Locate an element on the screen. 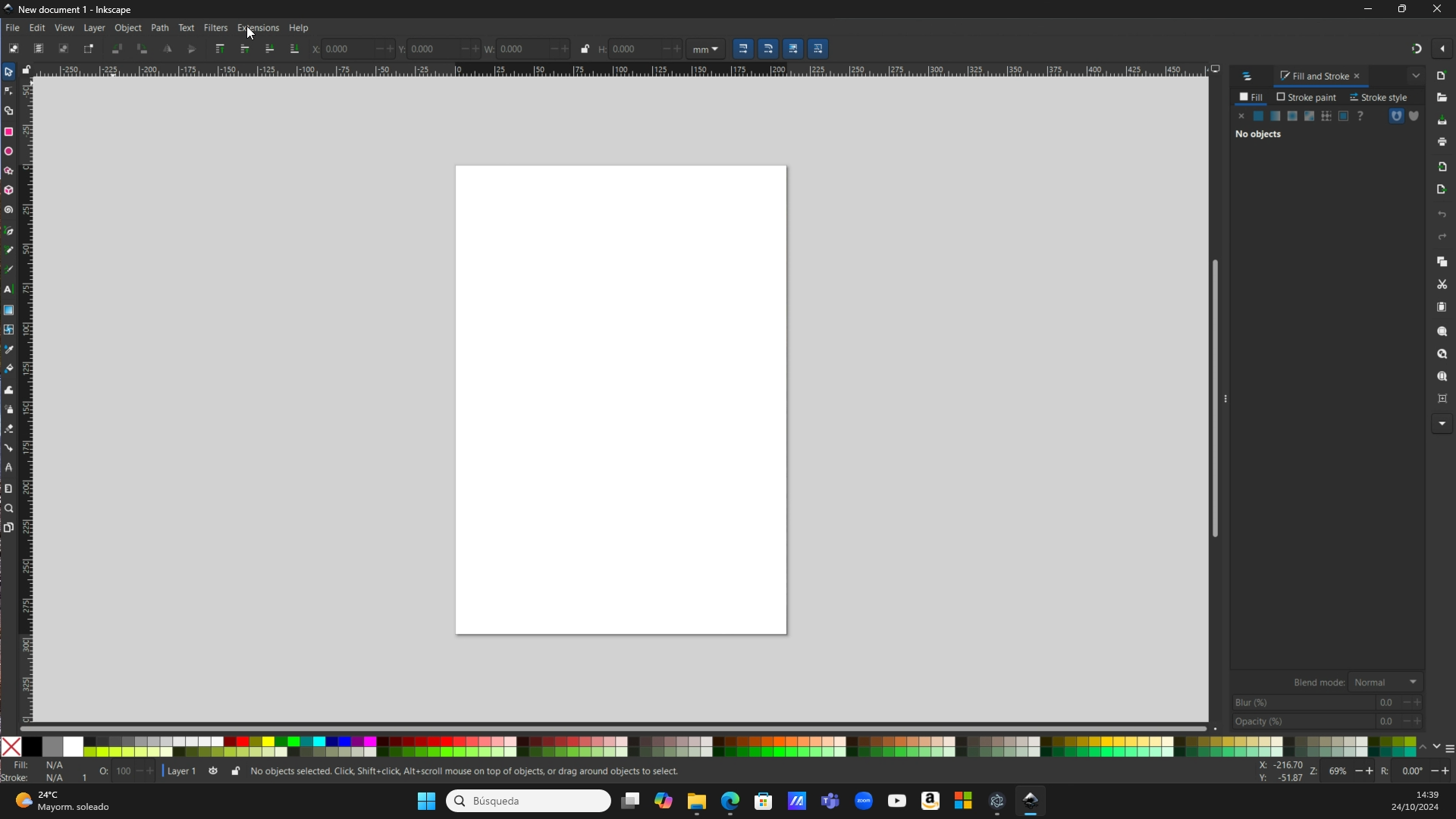  Options is located at coordinates (1430, 49).